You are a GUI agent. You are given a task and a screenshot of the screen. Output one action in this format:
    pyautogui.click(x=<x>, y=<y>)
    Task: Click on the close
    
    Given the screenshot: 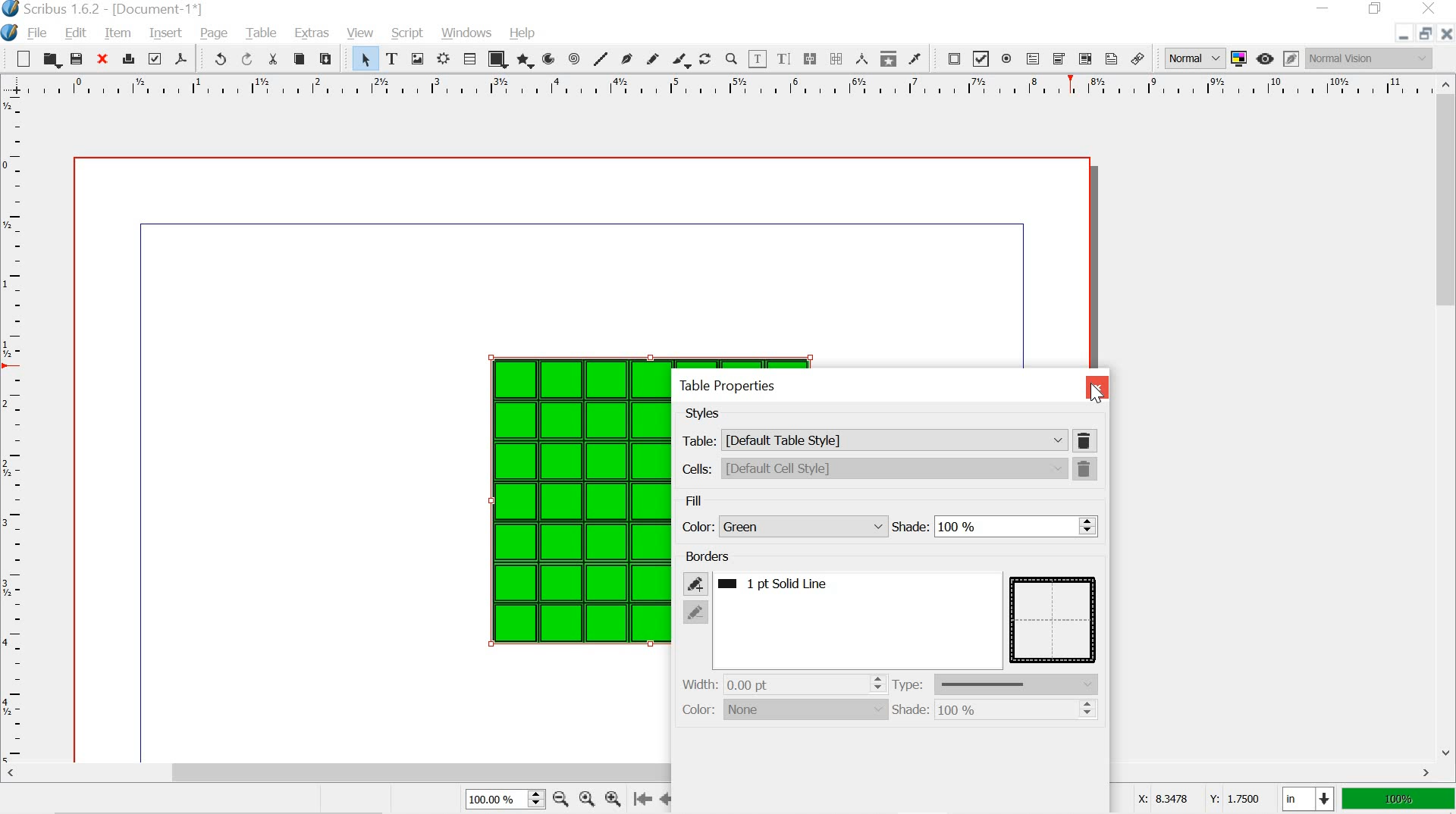 What is the action you would take?
    pyautogui.click(x=1446, y=33)
    